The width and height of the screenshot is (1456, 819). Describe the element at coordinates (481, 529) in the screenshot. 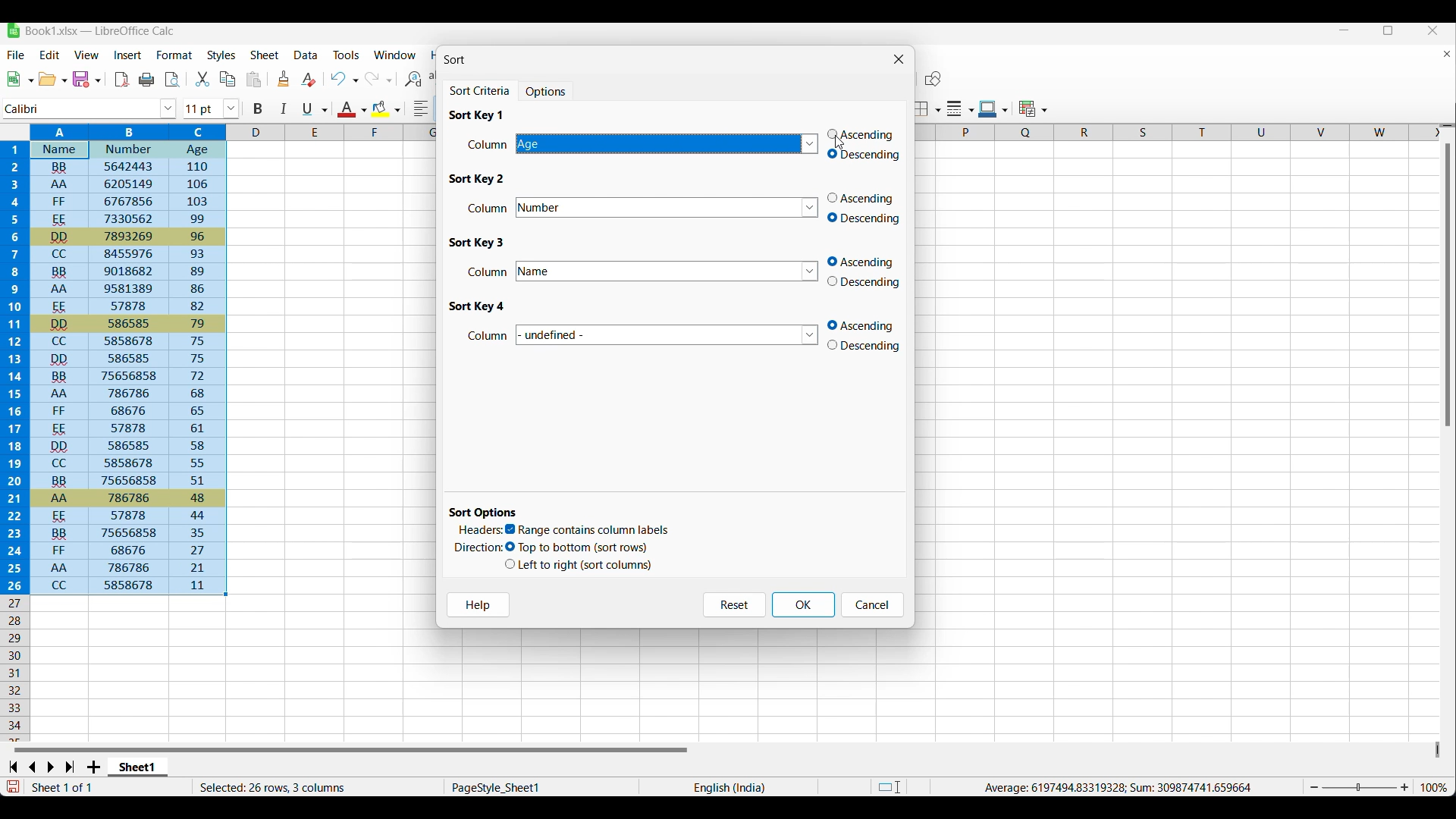

I see `Indicates sort option for Headers` at that location.